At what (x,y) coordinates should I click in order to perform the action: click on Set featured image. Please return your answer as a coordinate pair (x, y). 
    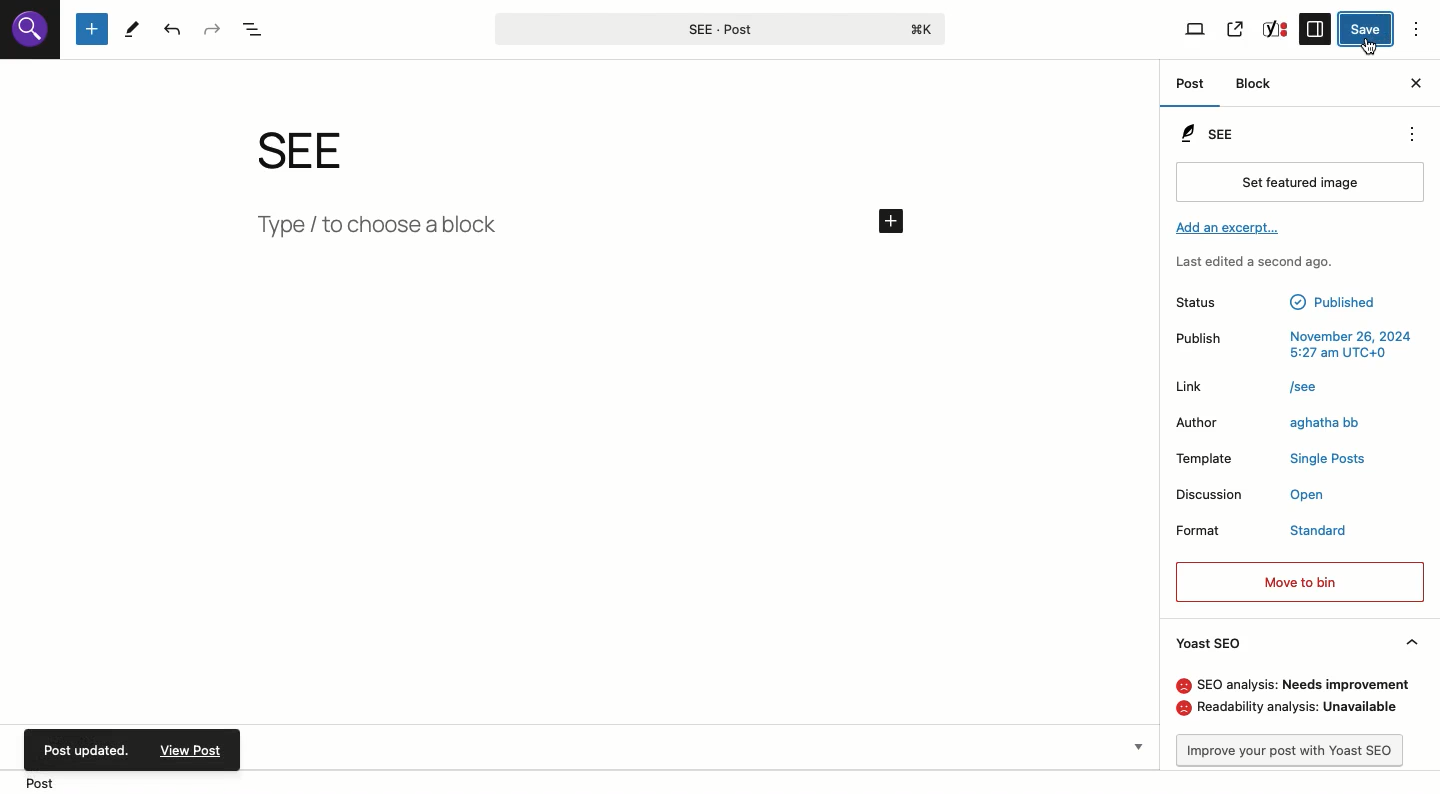
    Looking at the image, I should click on (1299, 184).